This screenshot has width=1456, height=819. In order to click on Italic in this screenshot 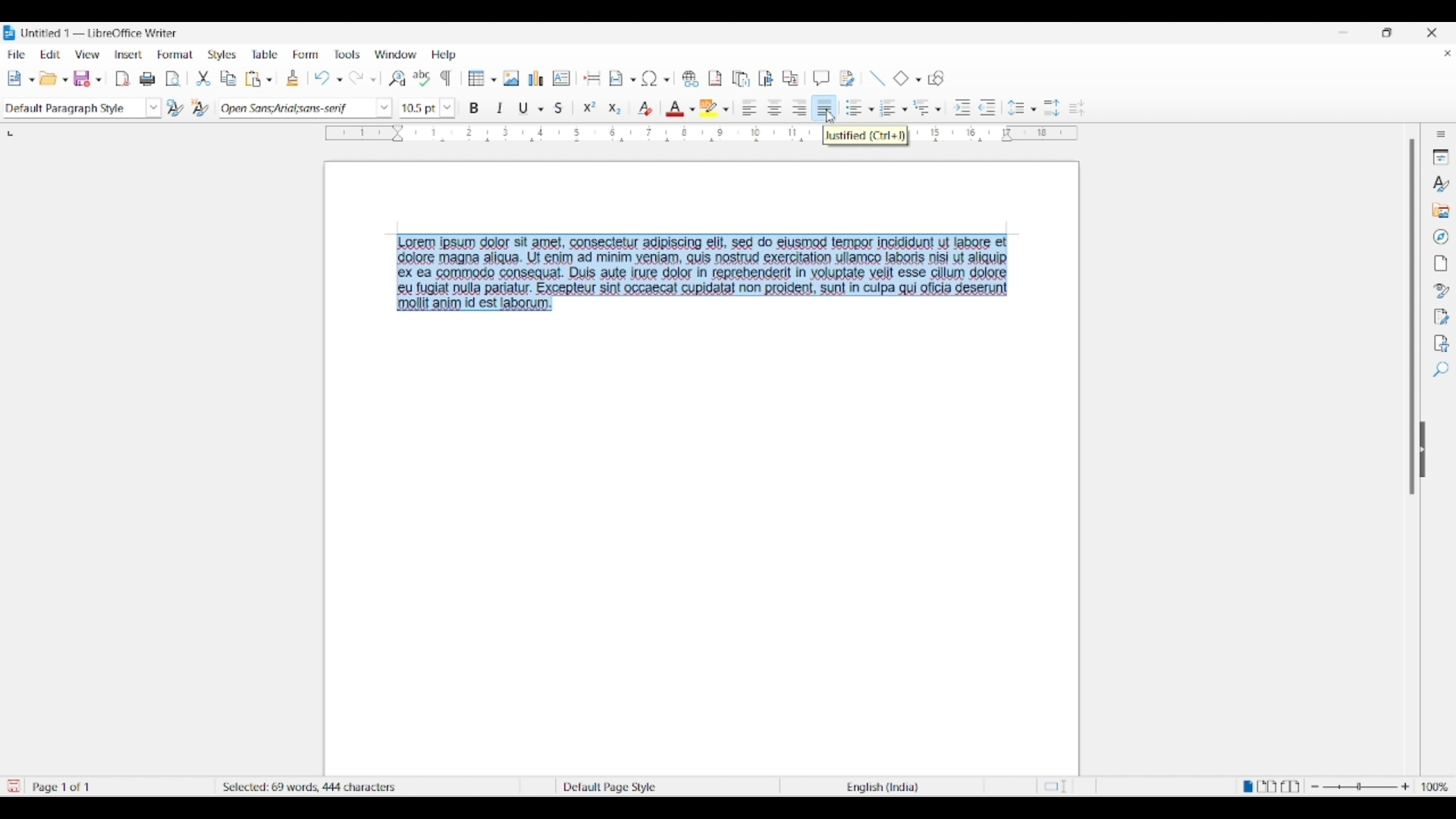, I will do `click(500, 108)`.